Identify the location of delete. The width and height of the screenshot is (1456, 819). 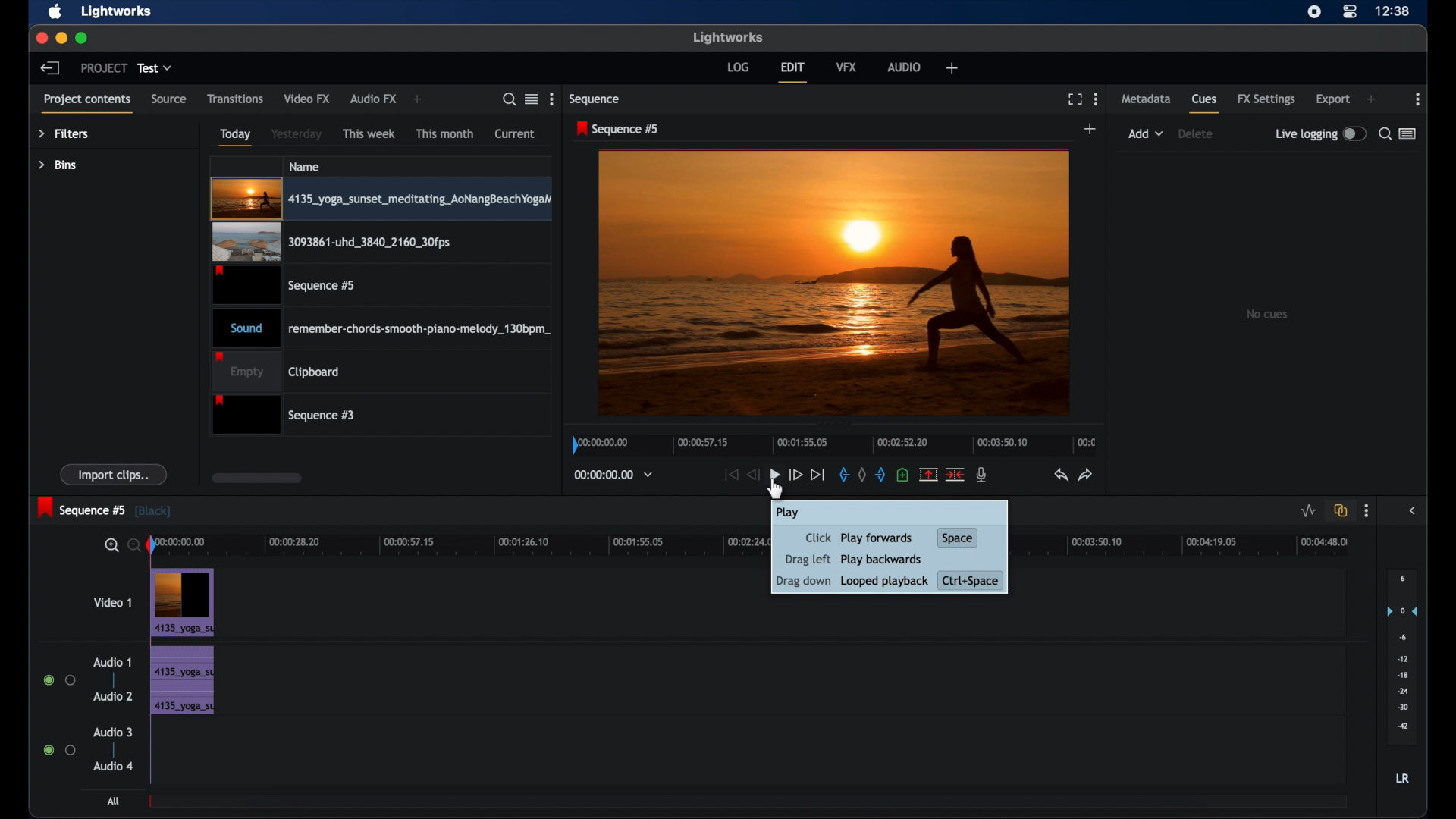
(1198, 134).